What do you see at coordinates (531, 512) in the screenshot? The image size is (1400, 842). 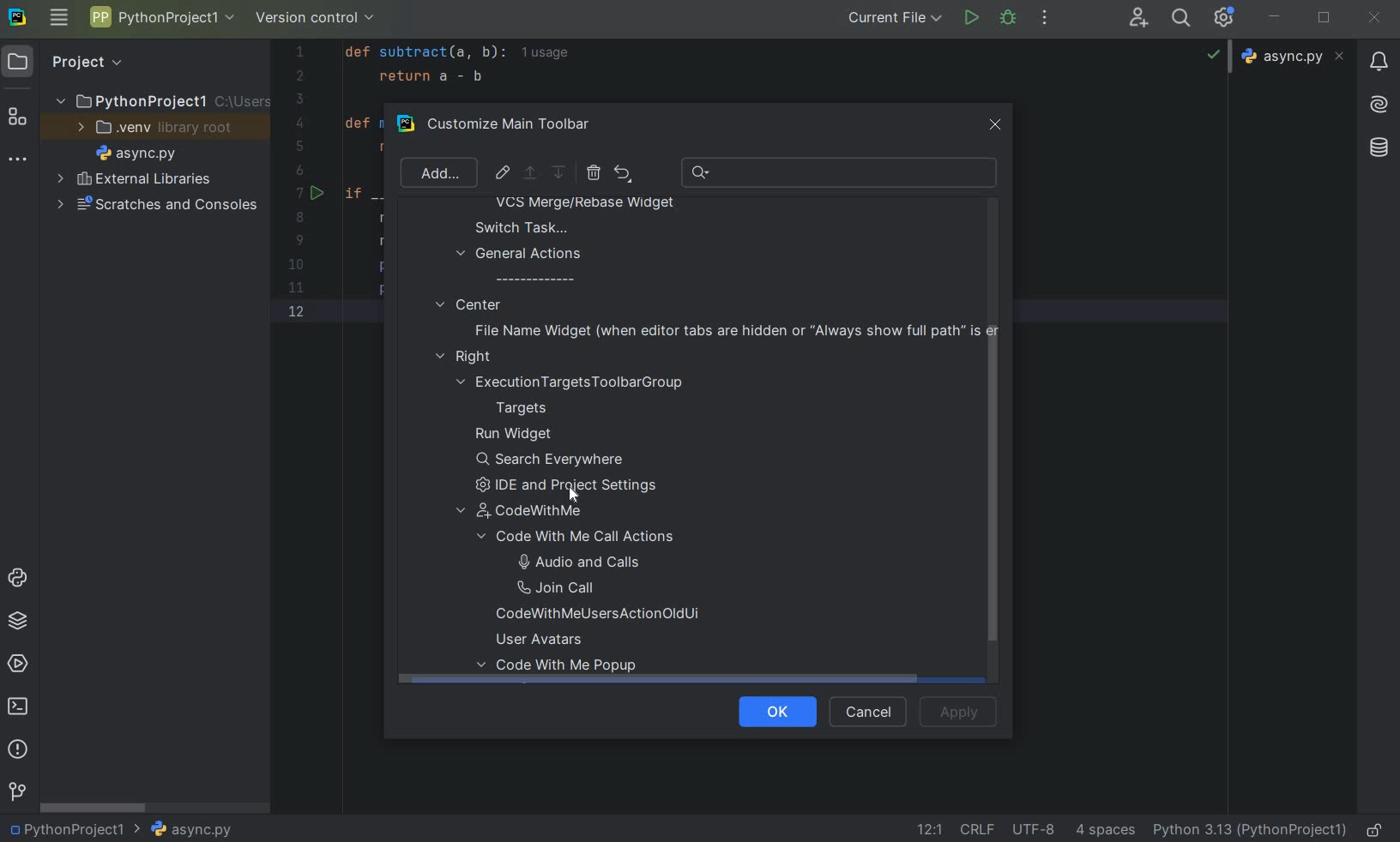 I see `codeWithMe` at bounding box center [531, 512].